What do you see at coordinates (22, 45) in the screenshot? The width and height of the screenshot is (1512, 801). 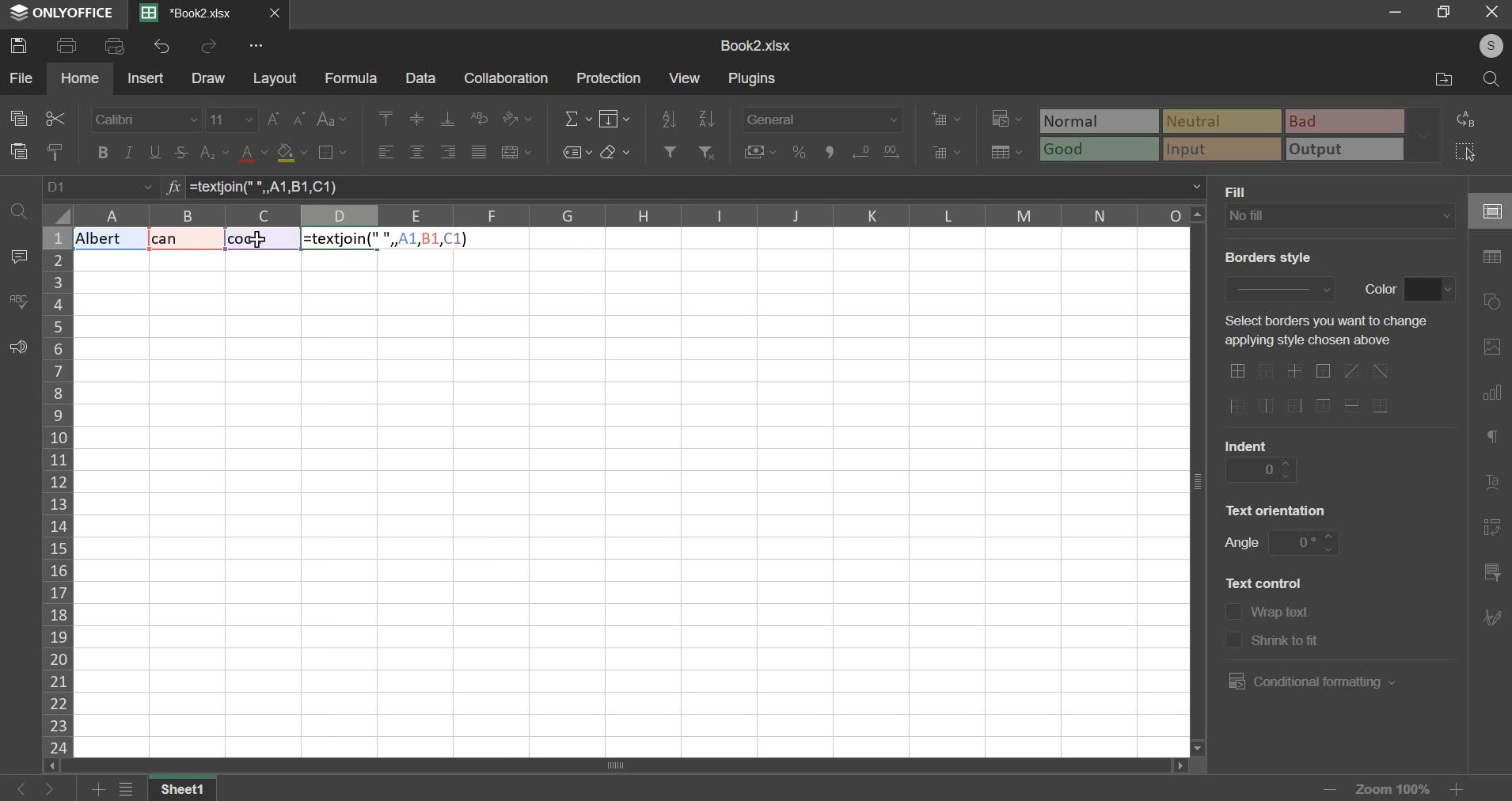 I see `save` at bounding box center [22, 45].